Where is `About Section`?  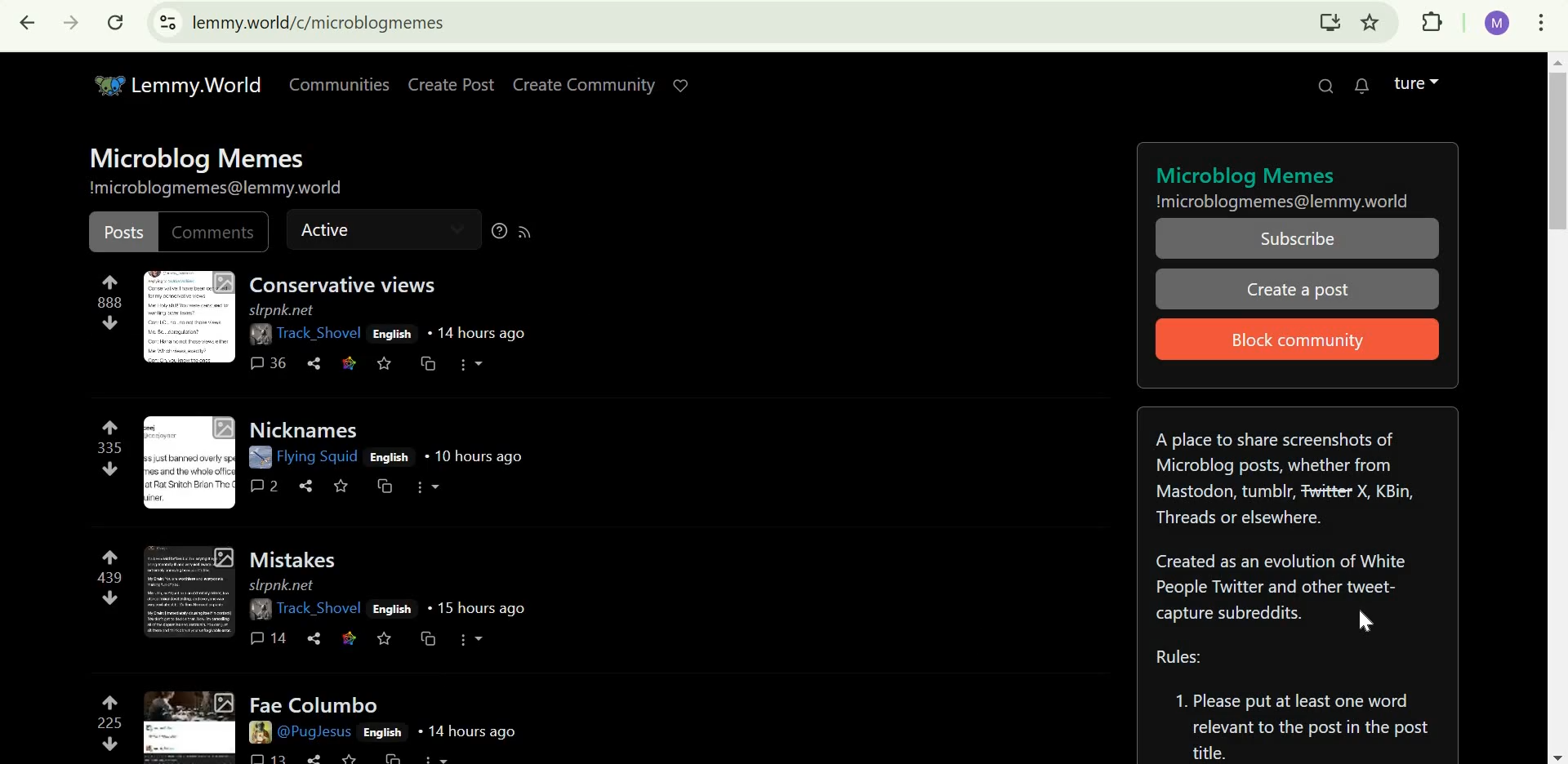 About Section is located at coordinates (1285, 523).